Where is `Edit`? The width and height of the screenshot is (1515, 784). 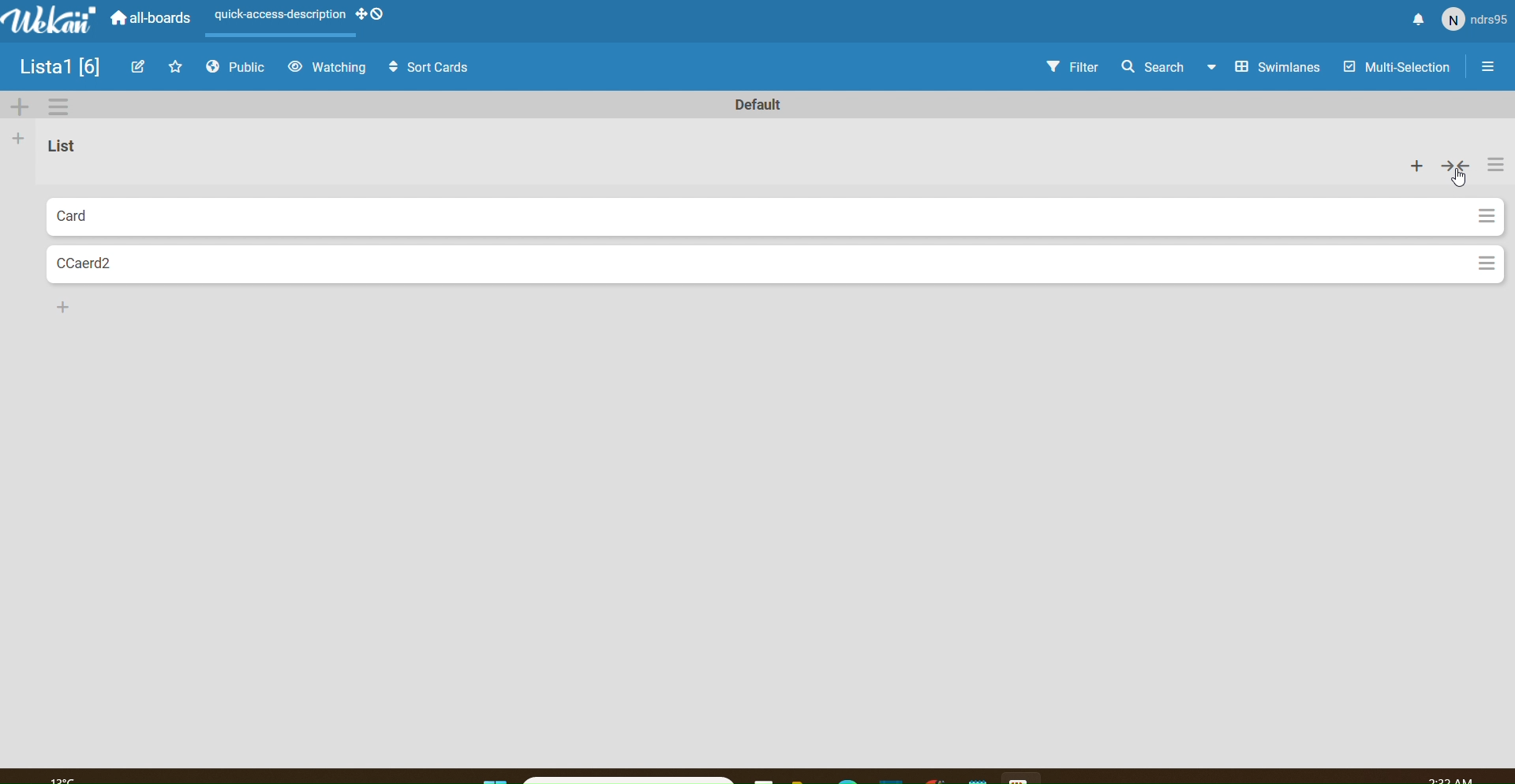 Edit is located at coordinates (143, 66).